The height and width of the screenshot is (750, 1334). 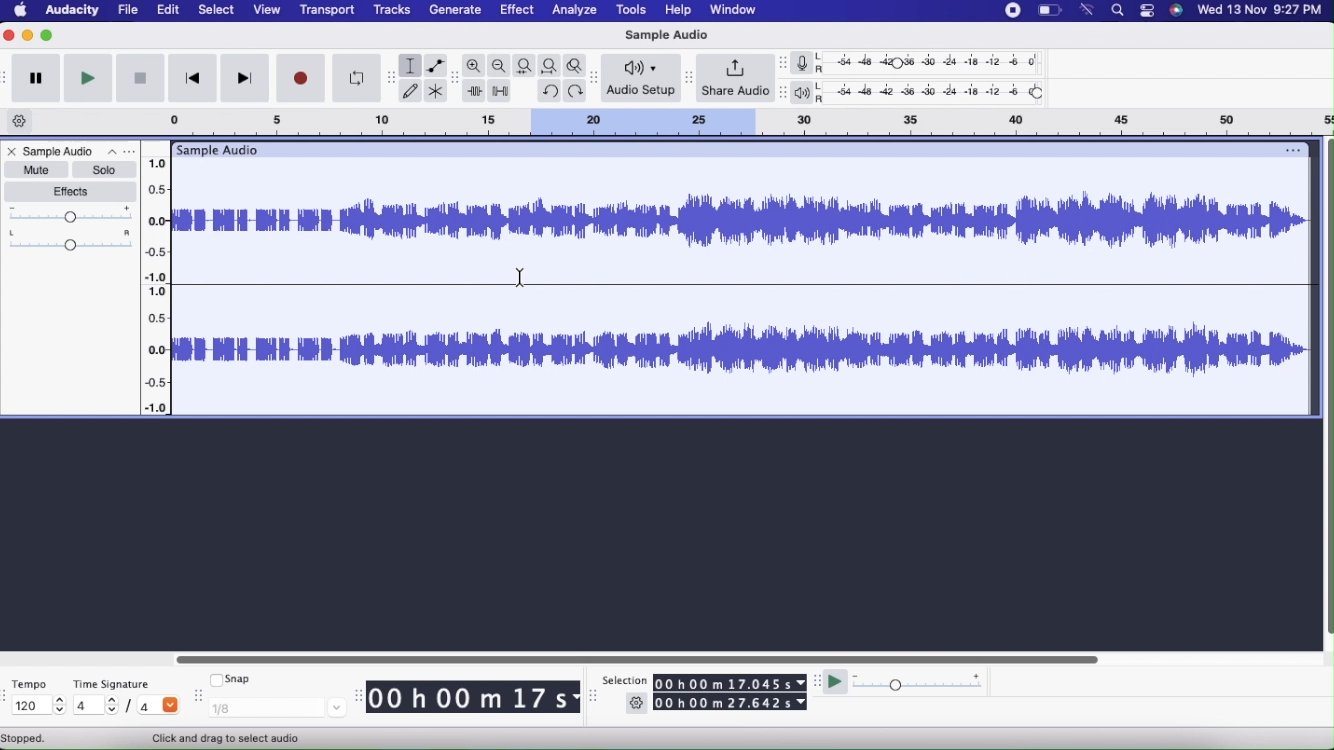 I want to click on Play, so click(x=87, y=78).